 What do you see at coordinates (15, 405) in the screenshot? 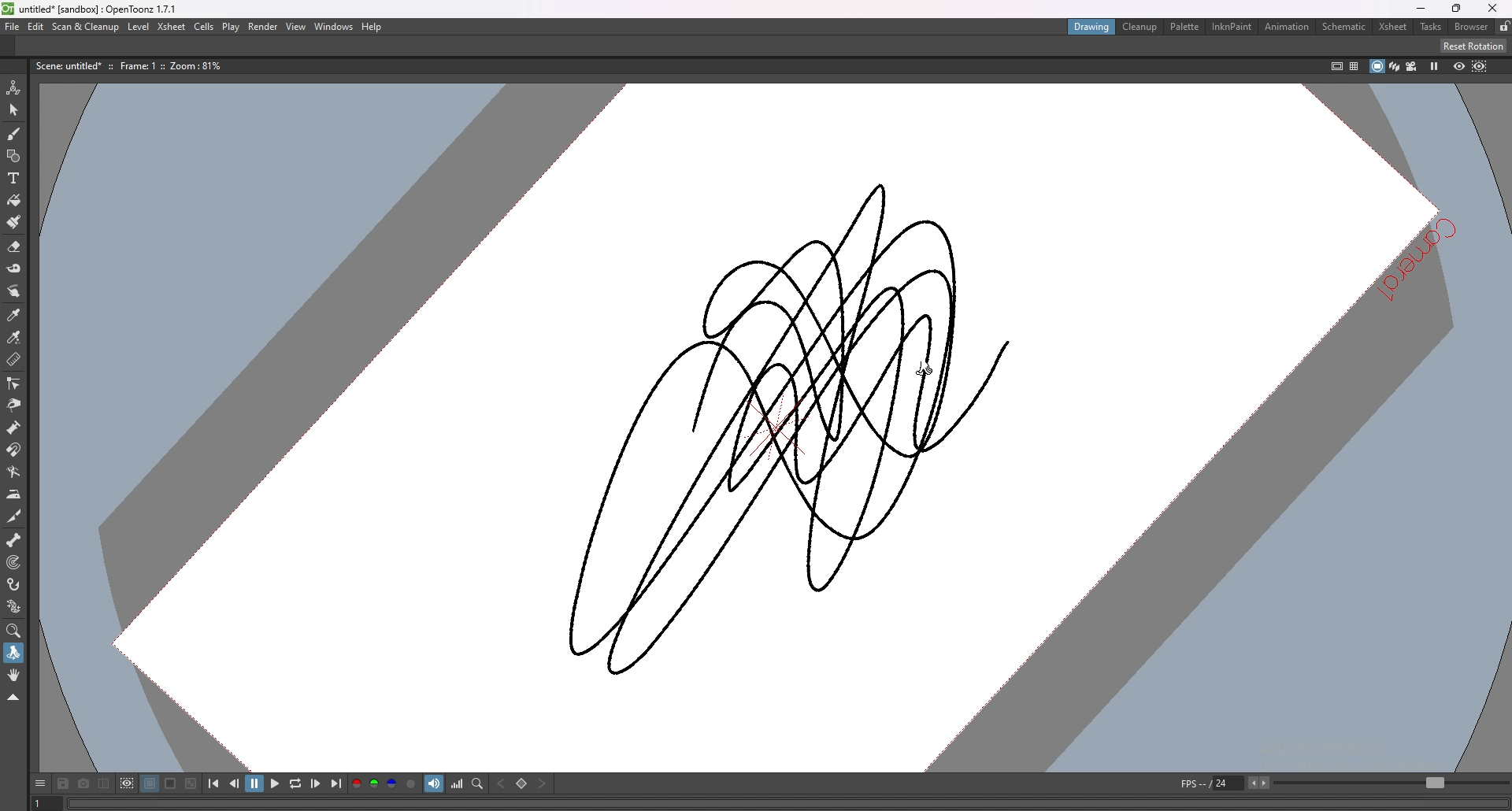
I see `pinch` at bounding box center [15, 405].